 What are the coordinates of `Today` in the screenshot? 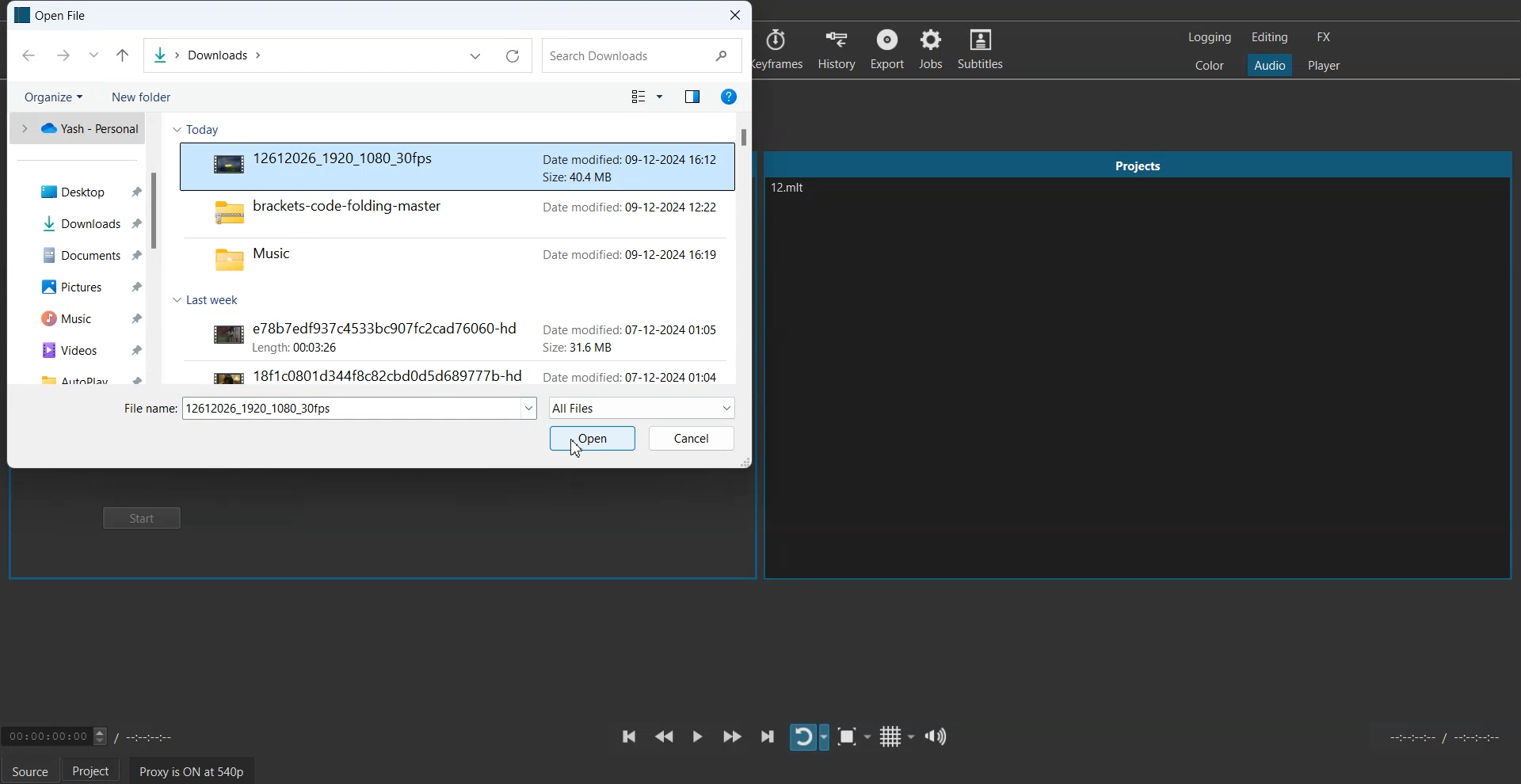 It's located at (204, 130).